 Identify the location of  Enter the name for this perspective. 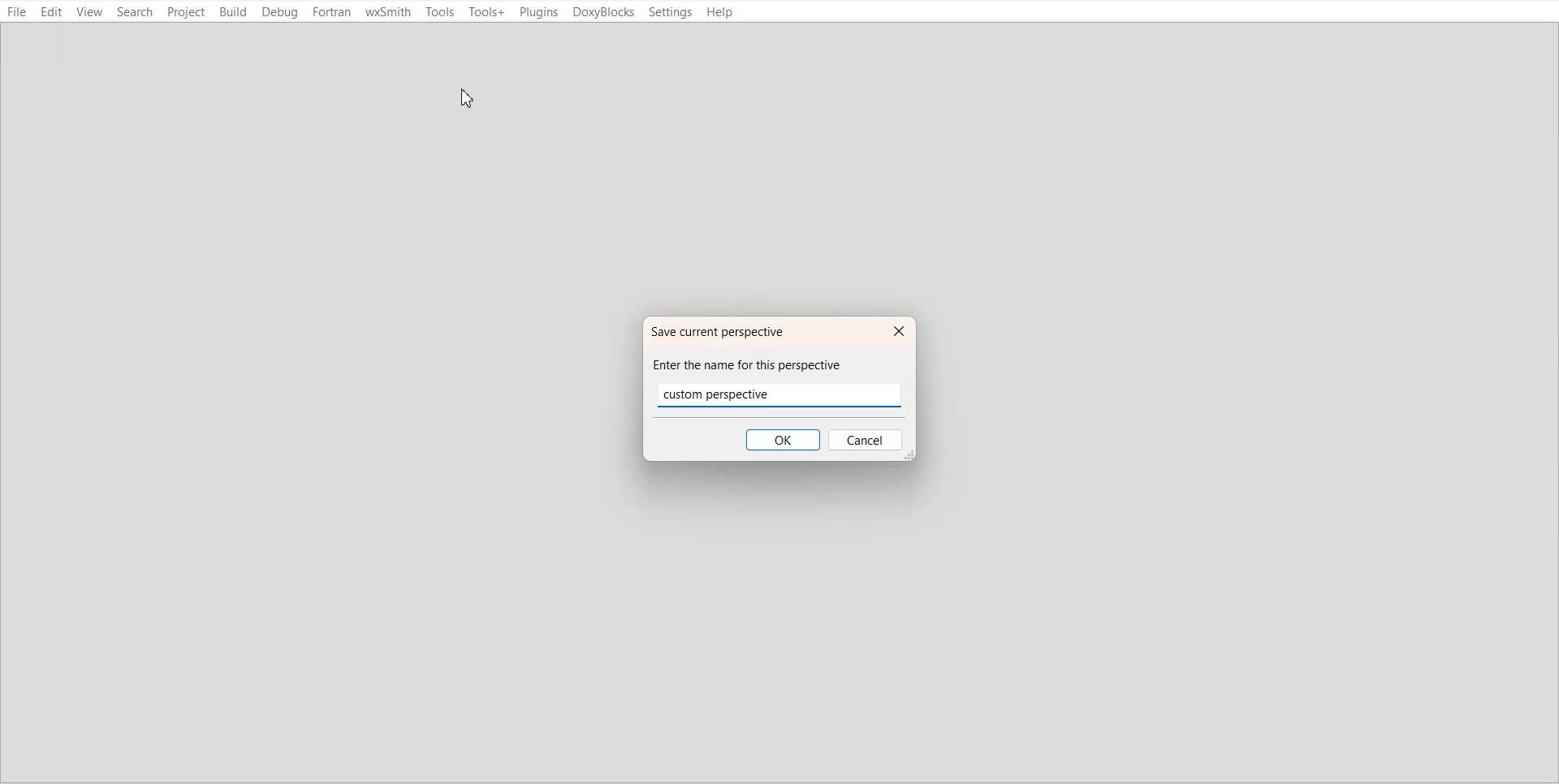
(762, 364).